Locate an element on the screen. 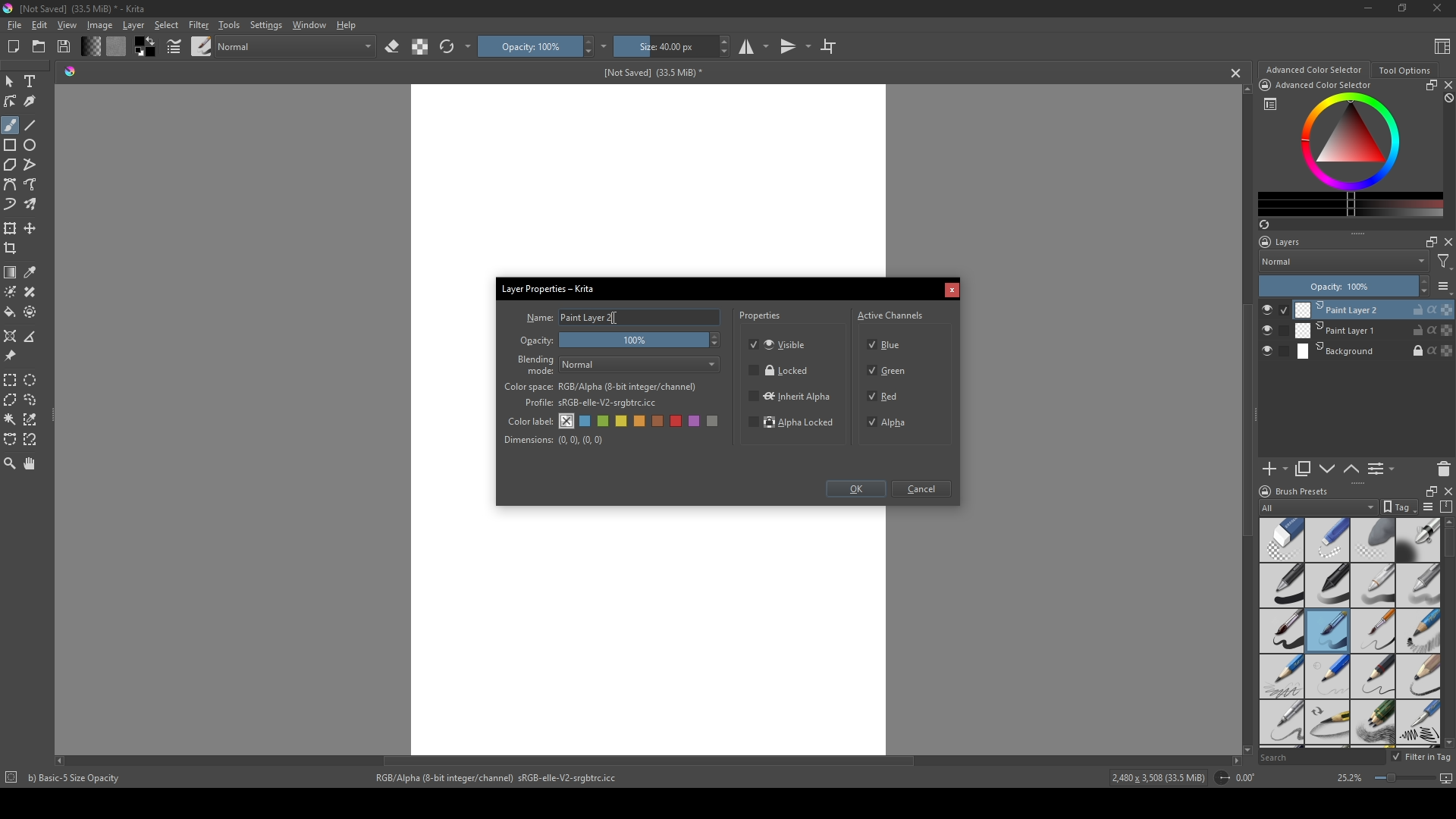 The image size is (1456, 819). standard eraser is located at coordinates (1281, 539).